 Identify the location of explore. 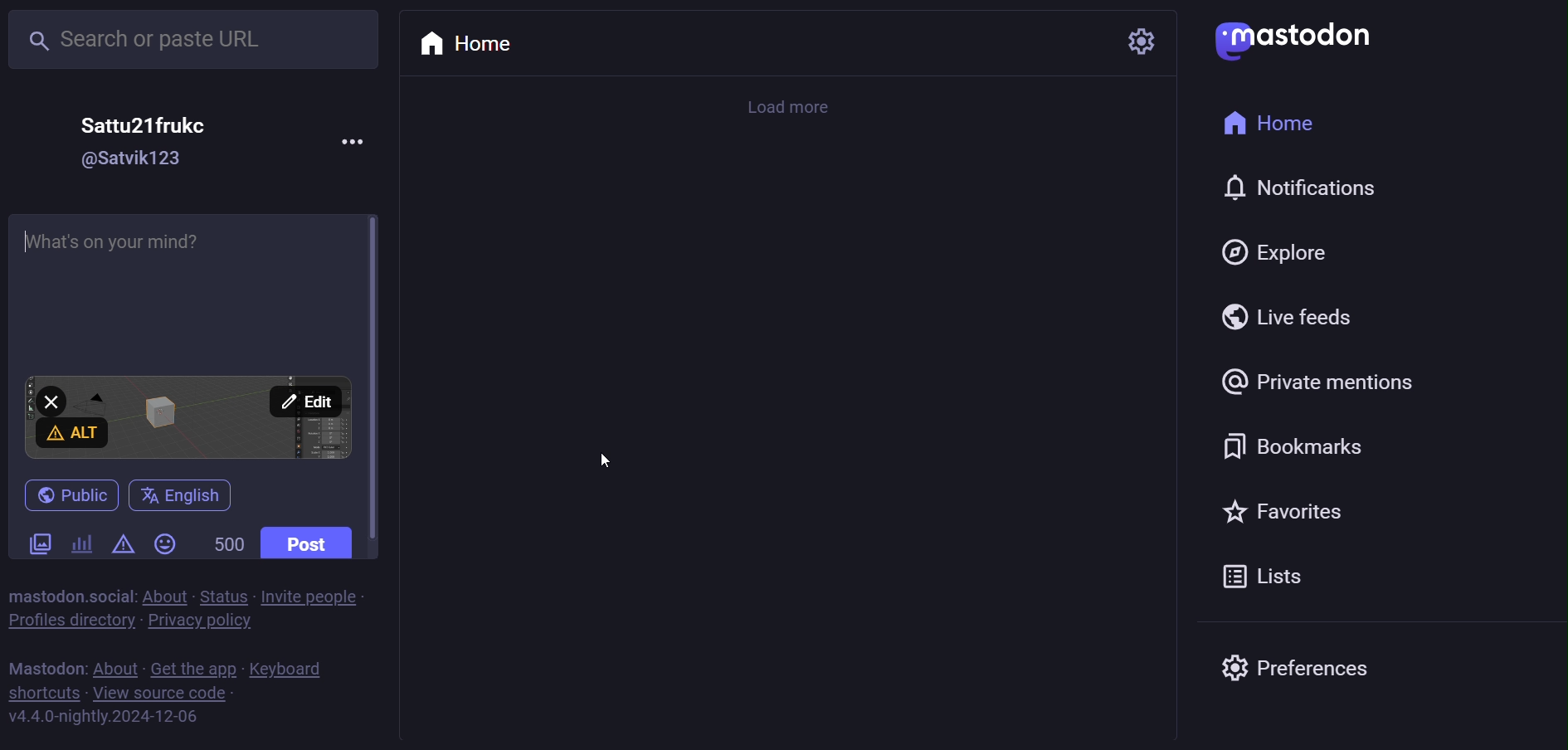
(1275, 252).